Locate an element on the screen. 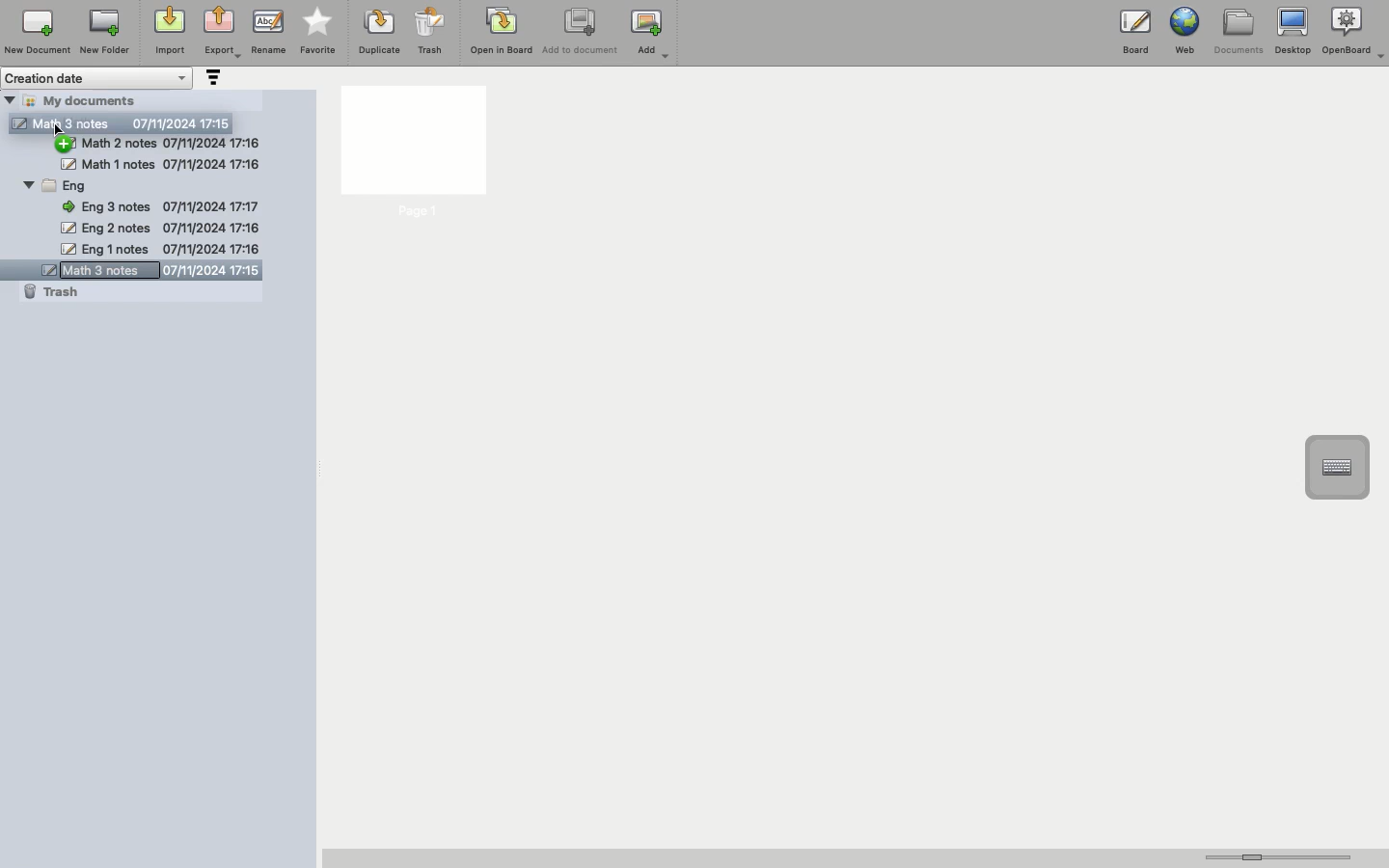 This screenshot has height=868, width=1389. Ad is located at coordinates (652, 34).